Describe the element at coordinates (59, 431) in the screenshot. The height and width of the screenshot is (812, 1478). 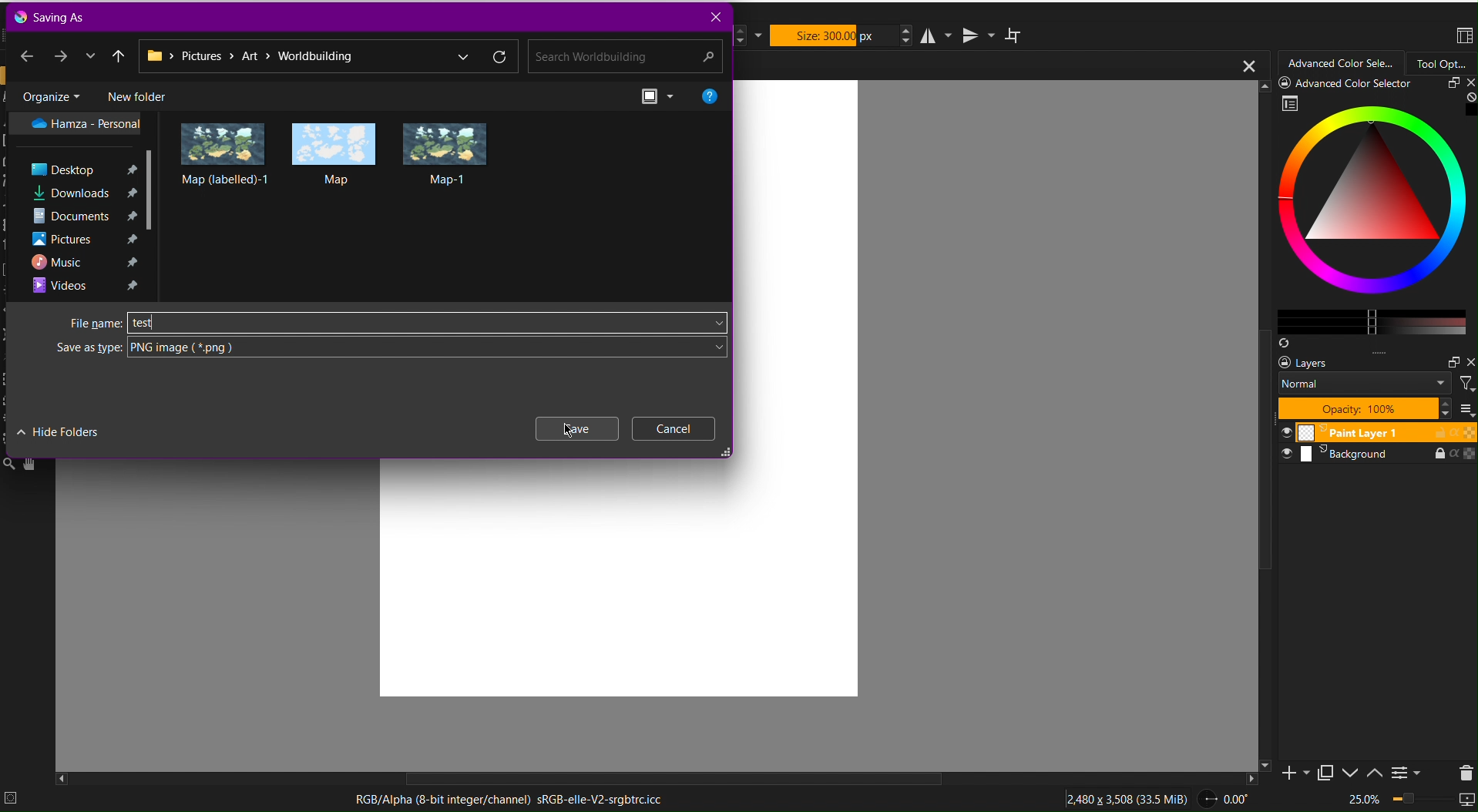
I see `Hide Folders` at that location.